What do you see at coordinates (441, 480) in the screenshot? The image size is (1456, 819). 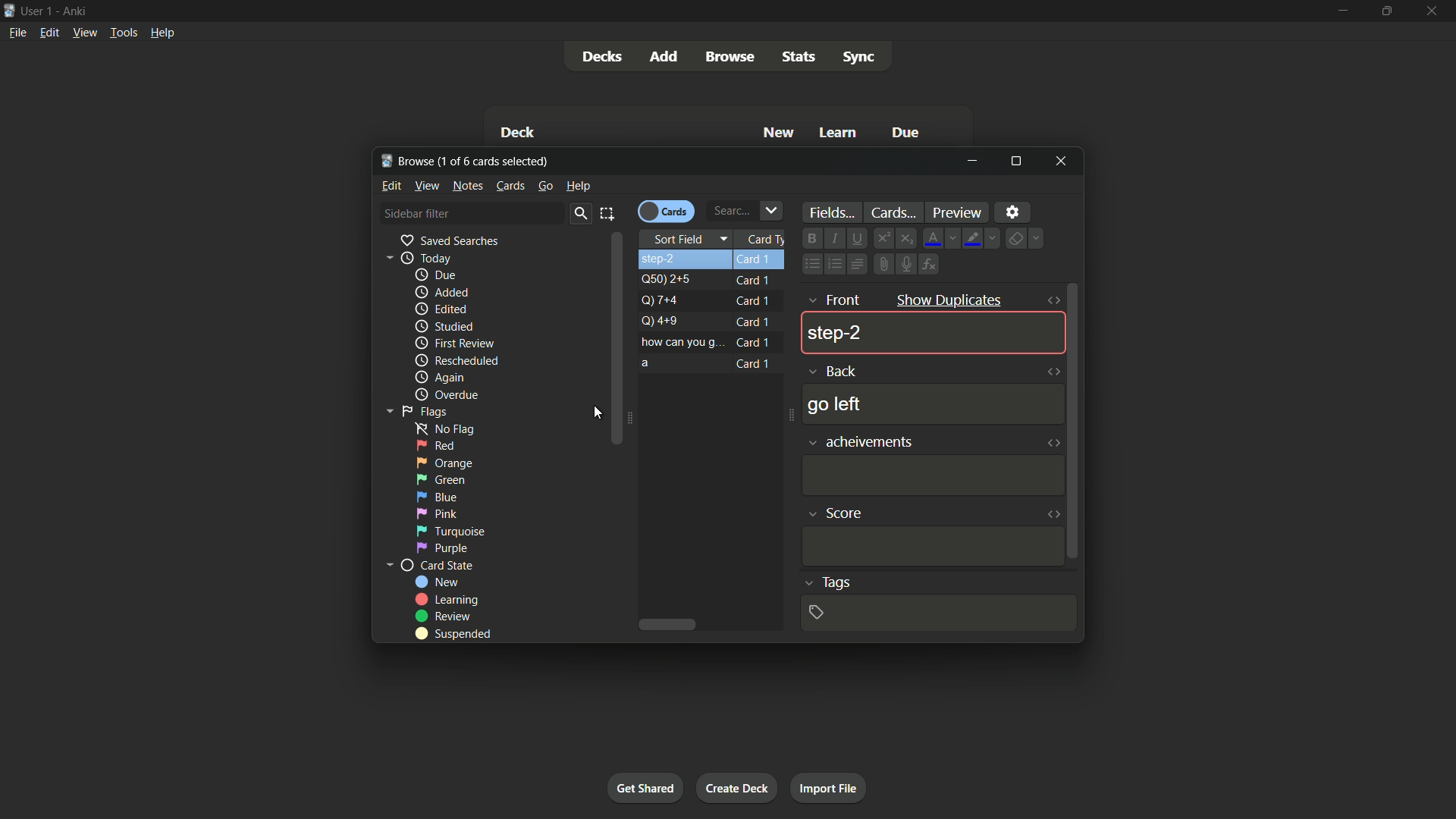 I see `green` at bounding box center [441, 480].